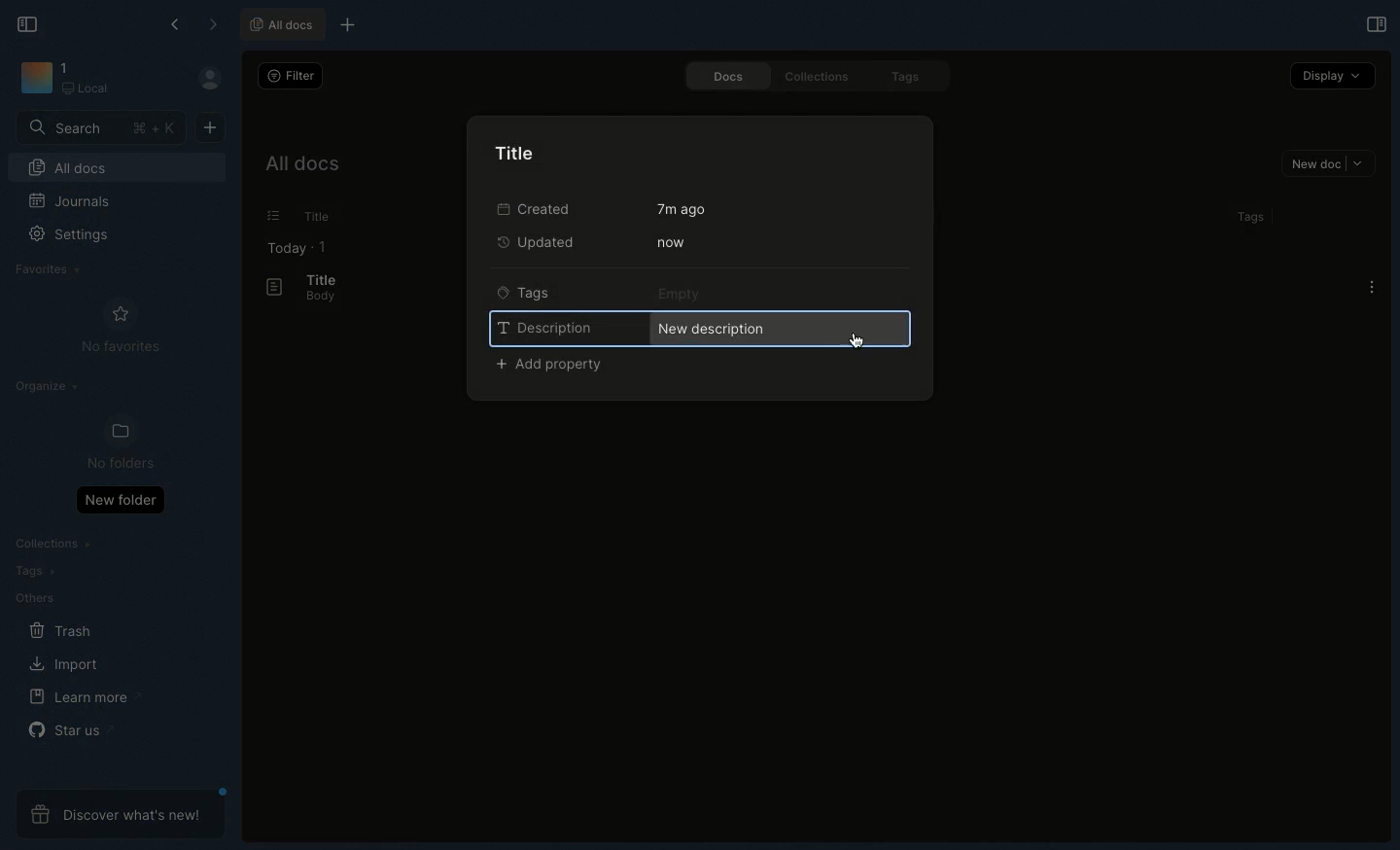  Describe the element at coordinates (213, 26) in the screenshot. I see `Forward` at that location.